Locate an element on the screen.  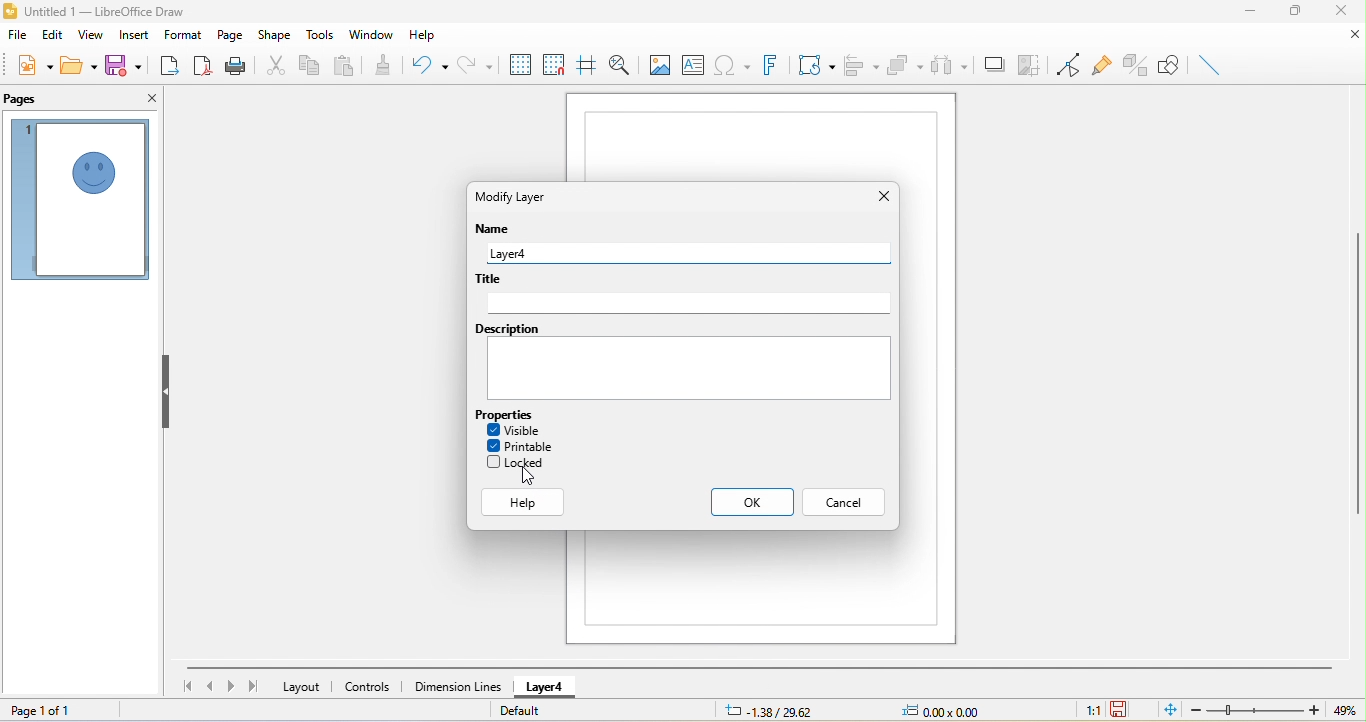
view is located at coordinates (88, 35).